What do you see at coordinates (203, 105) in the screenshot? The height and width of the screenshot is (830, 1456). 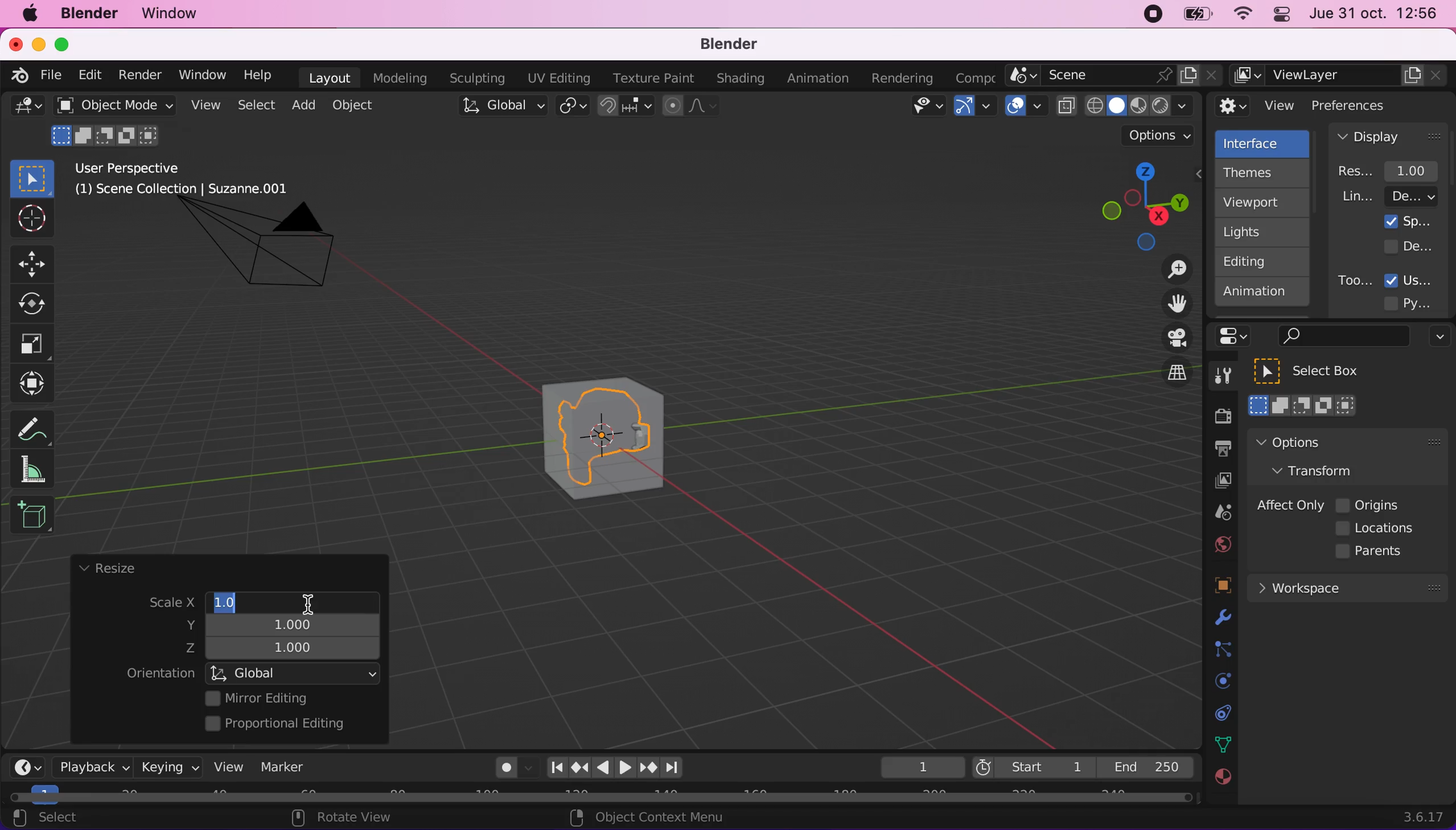 I see `view` at bounding box center [203, 105].